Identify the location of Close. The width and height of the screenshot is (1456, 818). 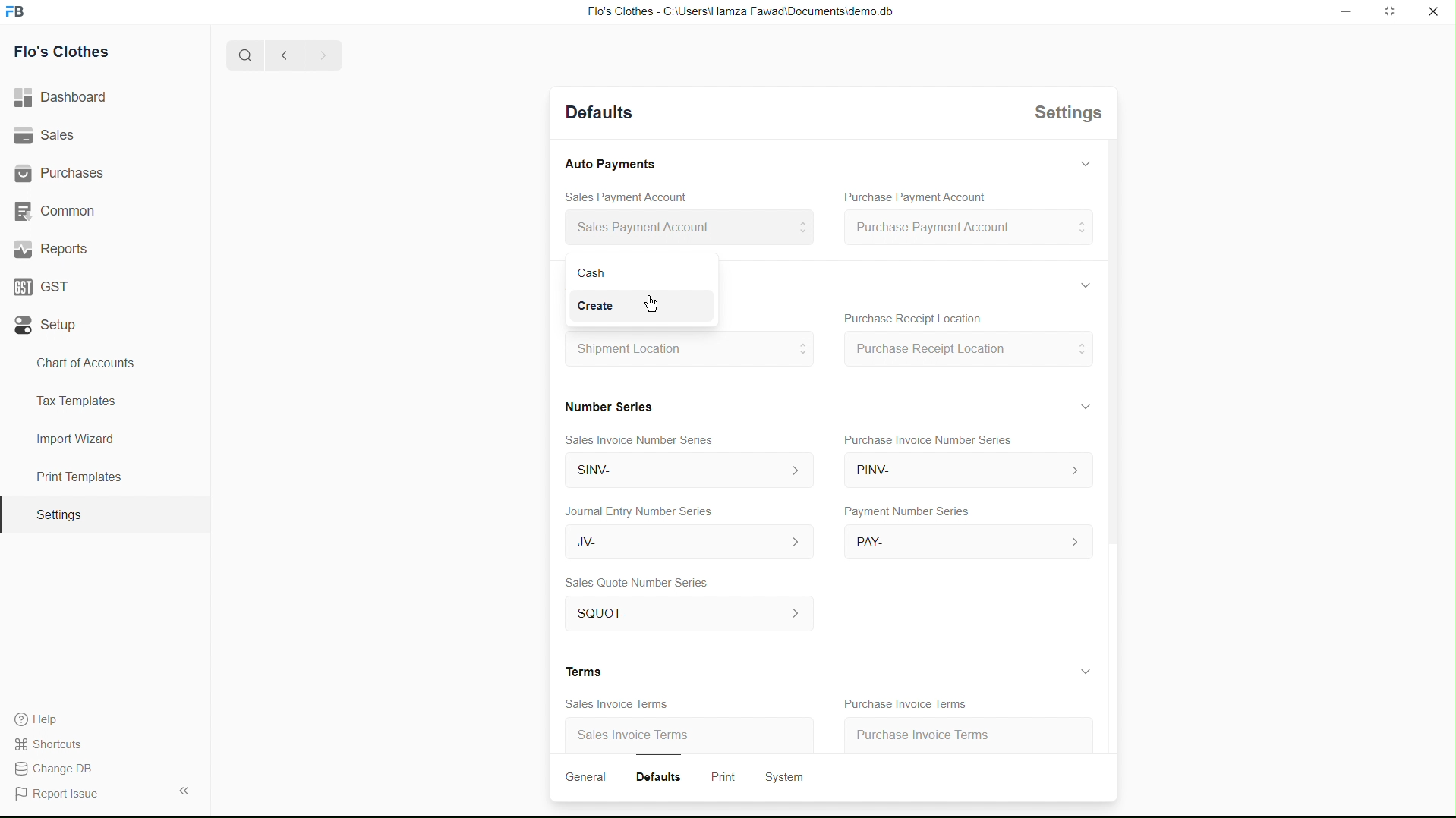
(1433, 13).